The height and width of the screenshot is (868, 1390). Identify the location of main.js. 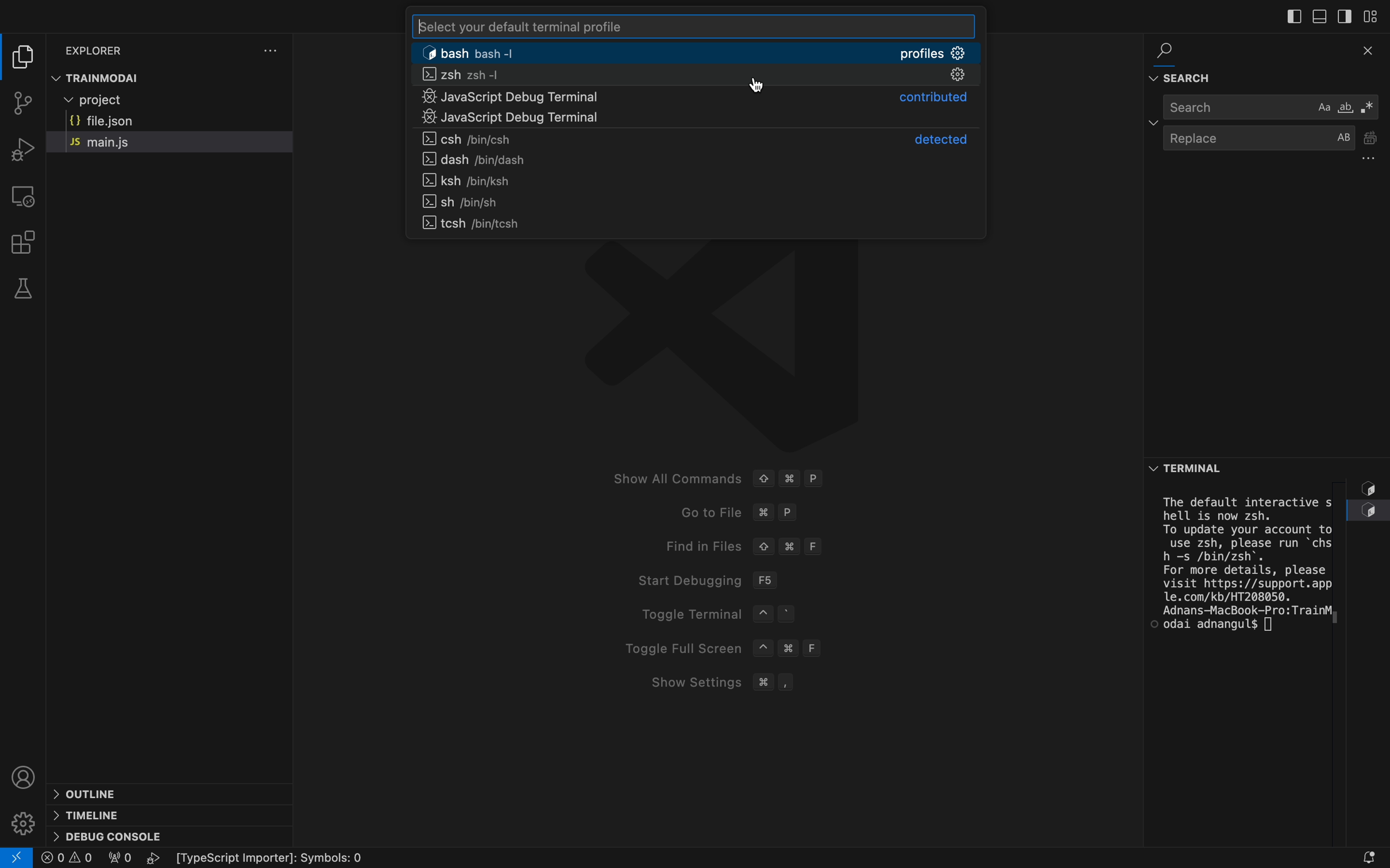
(126, 142).